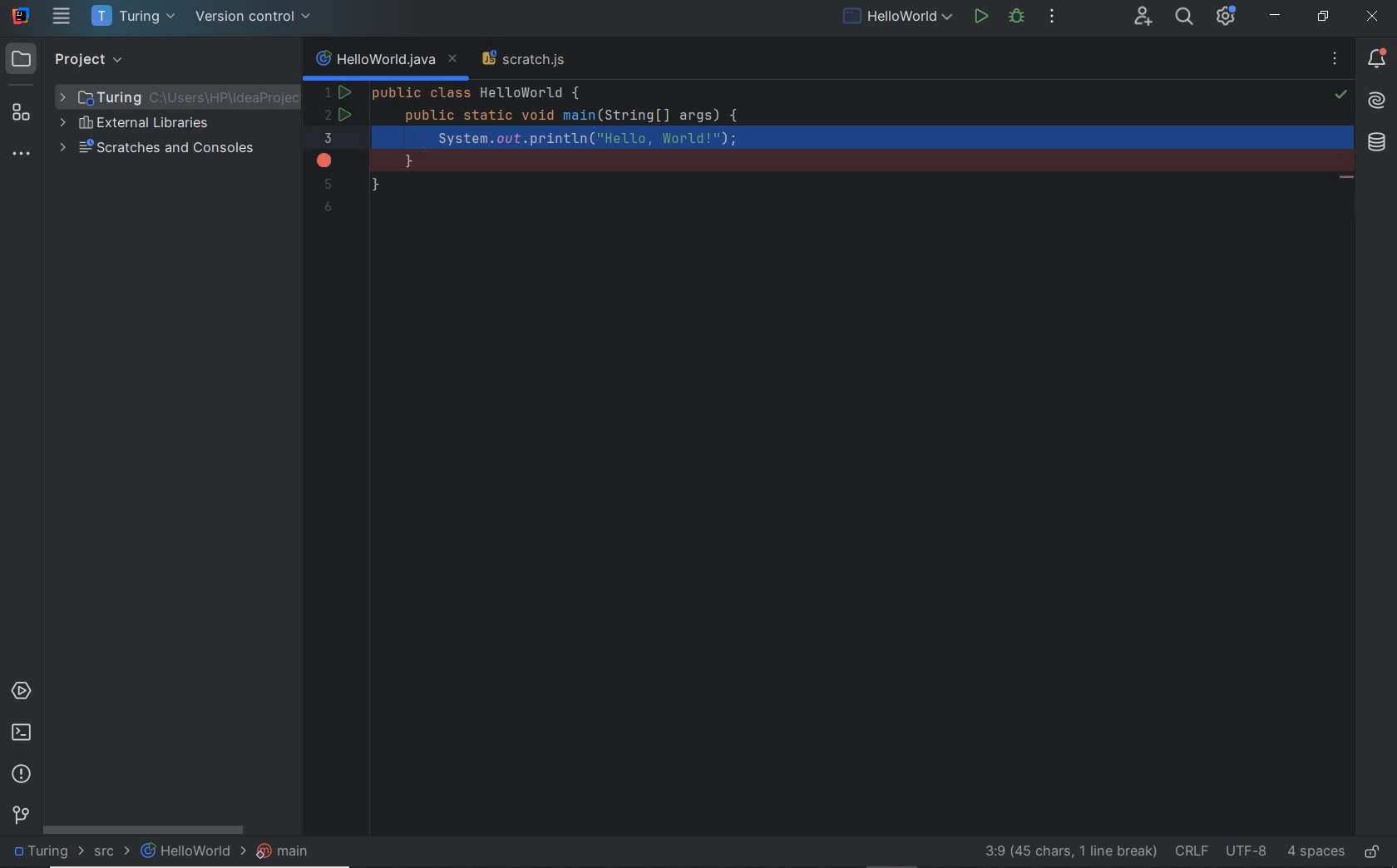 This screenshot has width=1397, height=868. Describe the element at coordinates (186, 856) in the screenshot. I see `file name` at that location.